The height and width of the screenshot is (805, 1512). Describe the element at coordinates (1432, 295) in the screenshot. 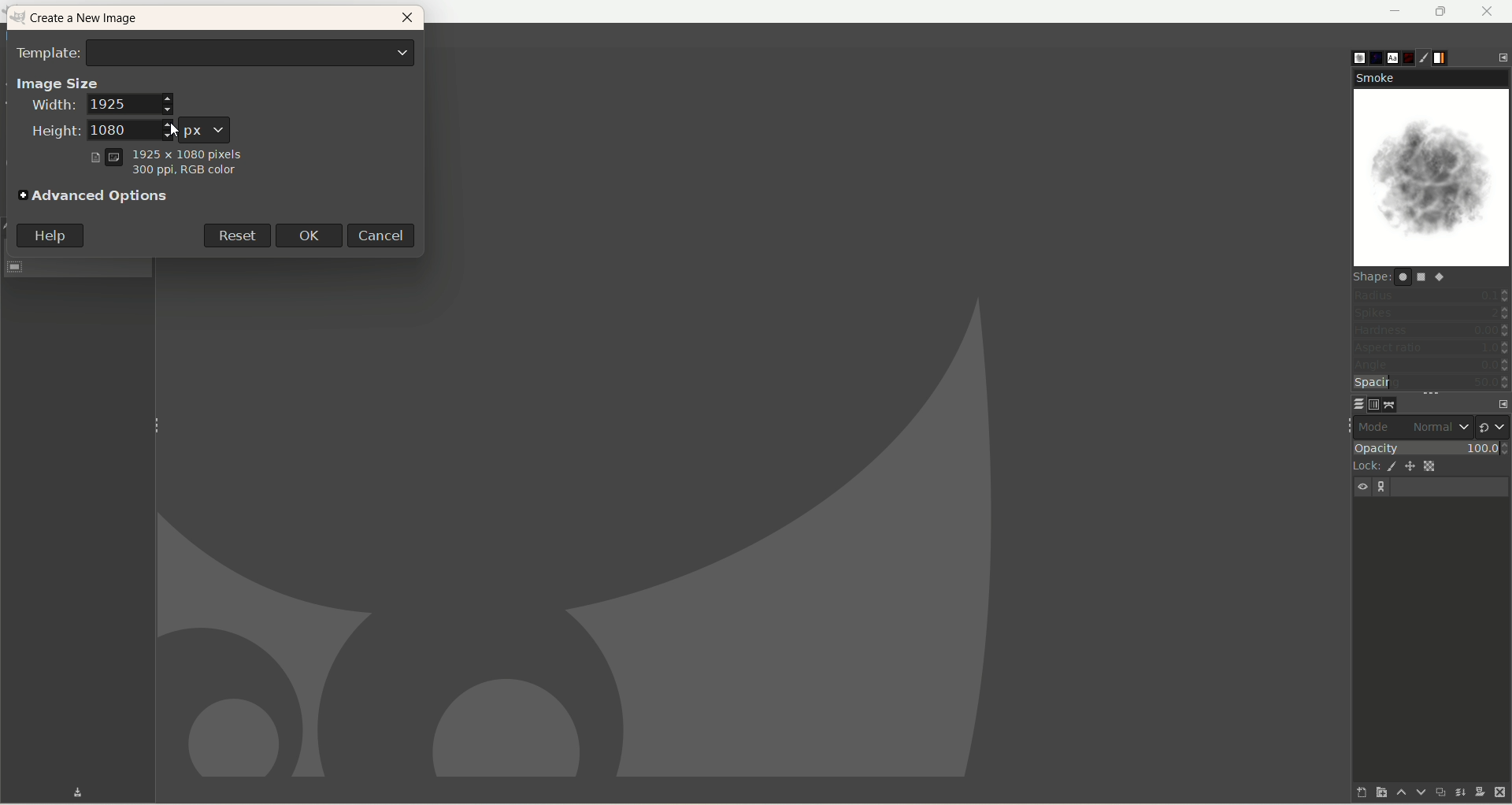

I see `radius` at that location.